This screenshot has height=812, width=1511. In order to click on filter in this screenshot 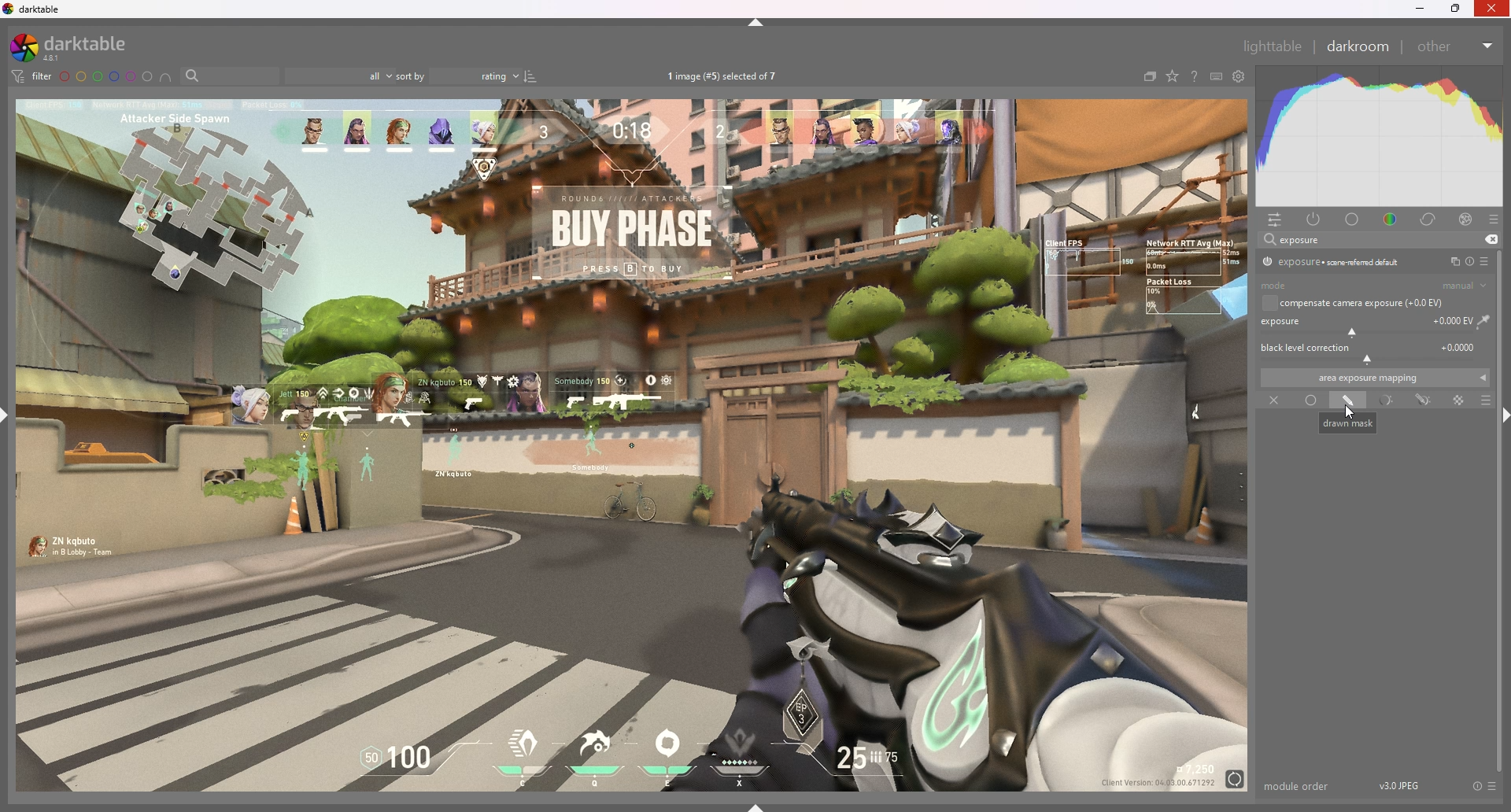, I will do `click(33, 76)`.